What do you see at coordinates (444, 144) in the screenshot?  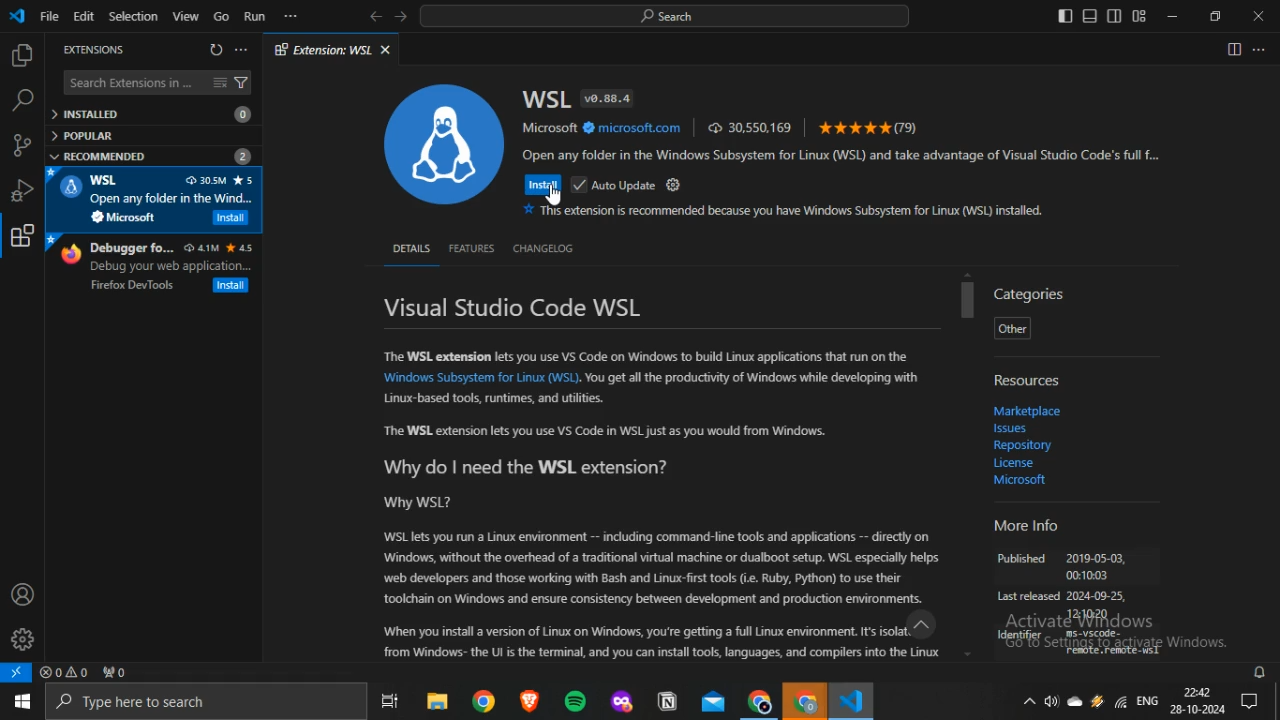 I see `WSL logo` at bounding box center [444, 144].